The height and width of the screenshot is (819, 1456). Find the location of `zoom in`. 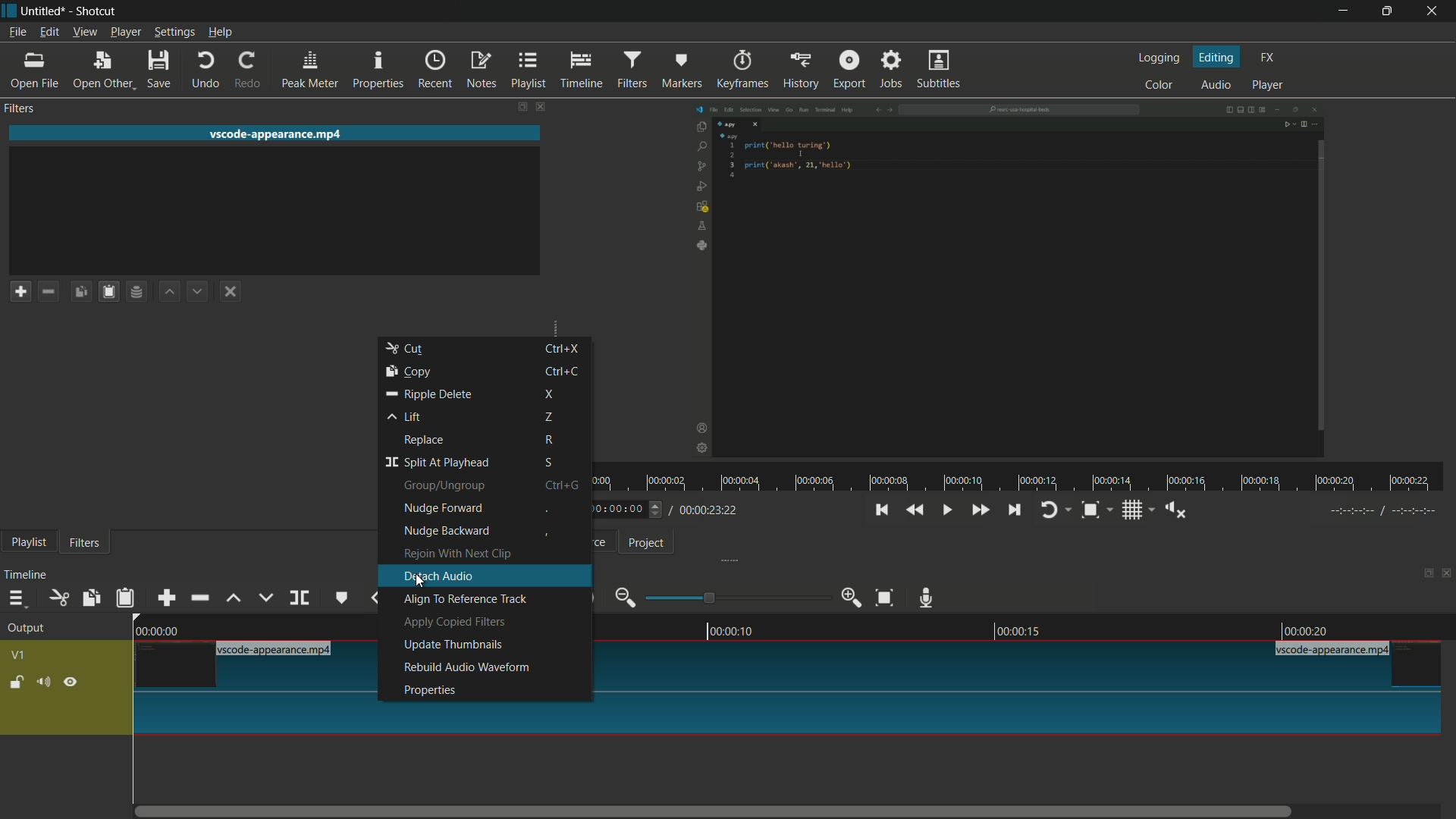

zoom in is located at coordinates (852, 598).